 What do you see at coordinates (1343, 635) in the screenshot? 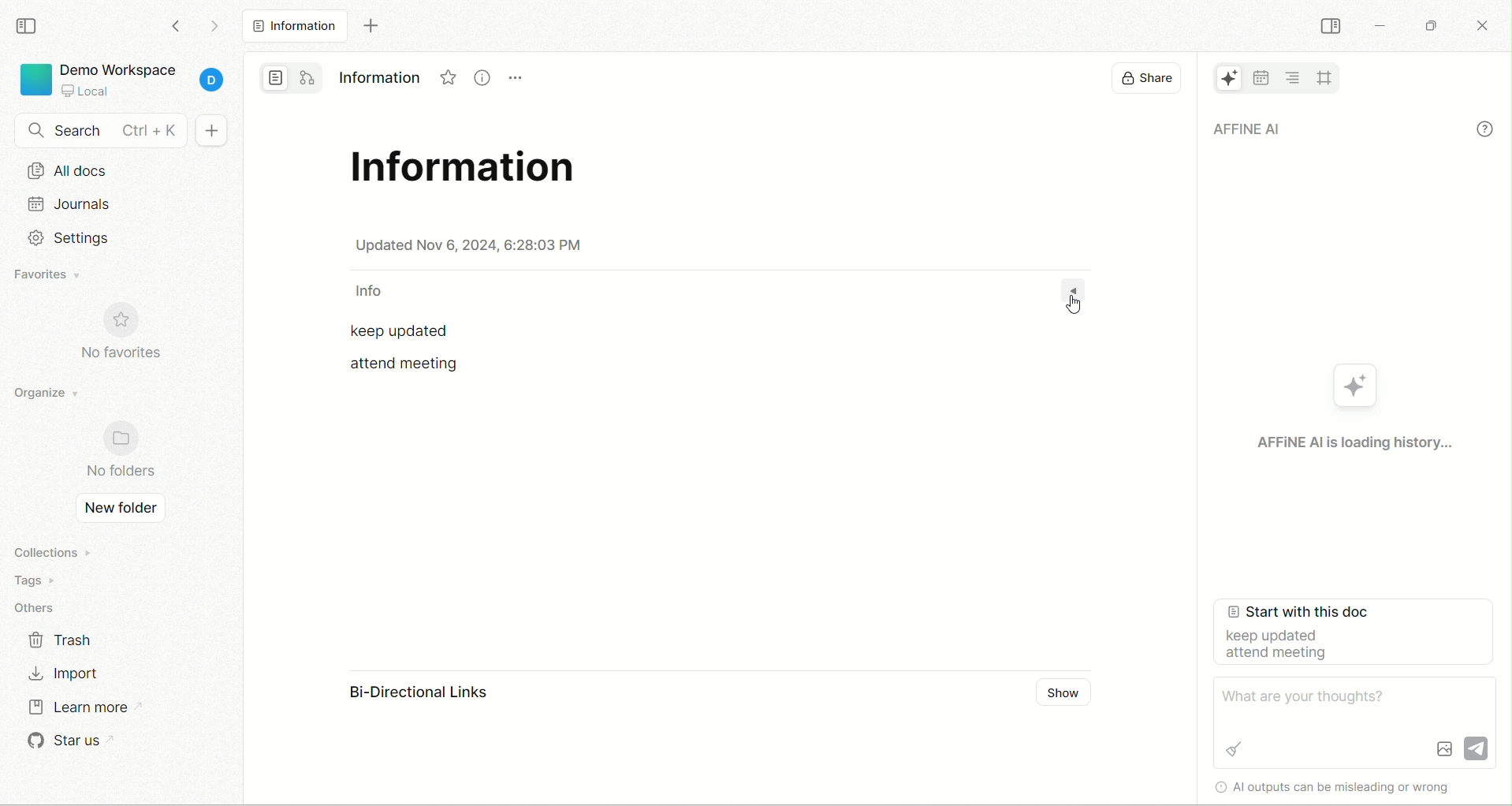
I see `start with this document` at bounding box center [1343, 635].